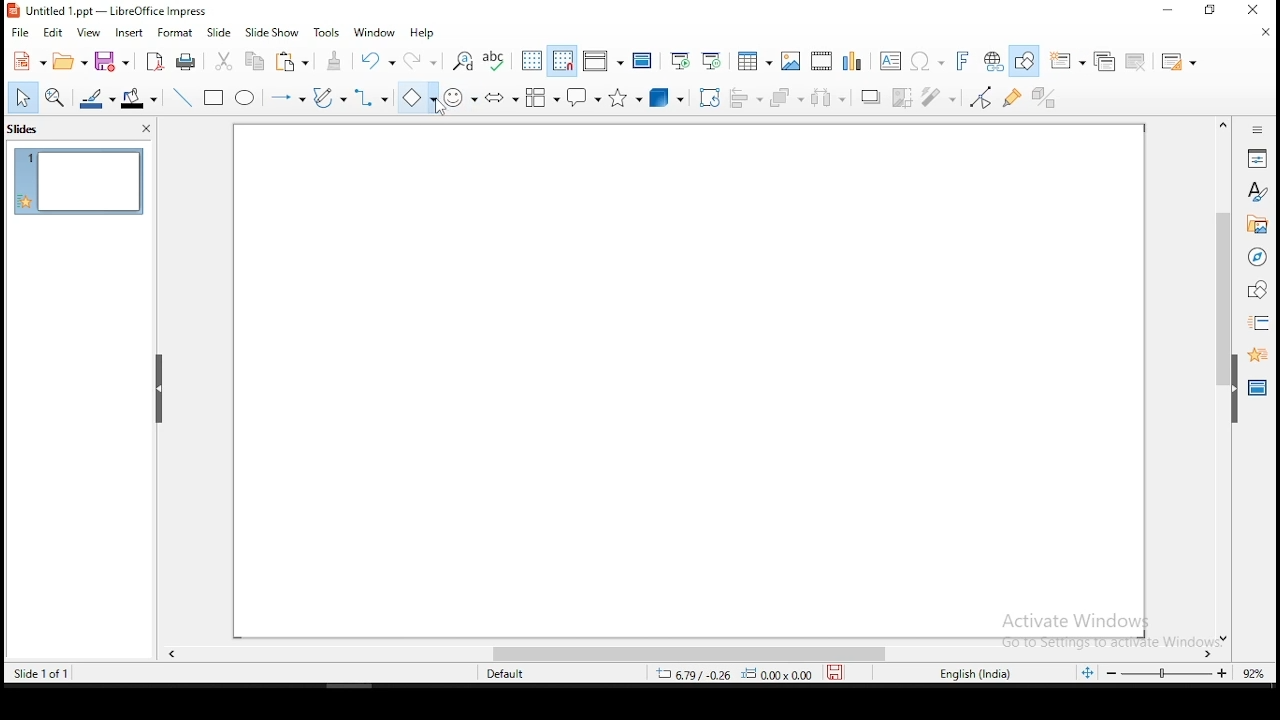 The height and width of the screenshot is (720, 1280). What do you see at coordinates (1104, 58) in the screenshot?
I see `duplicate slide` at bounding box center [1104, 58].